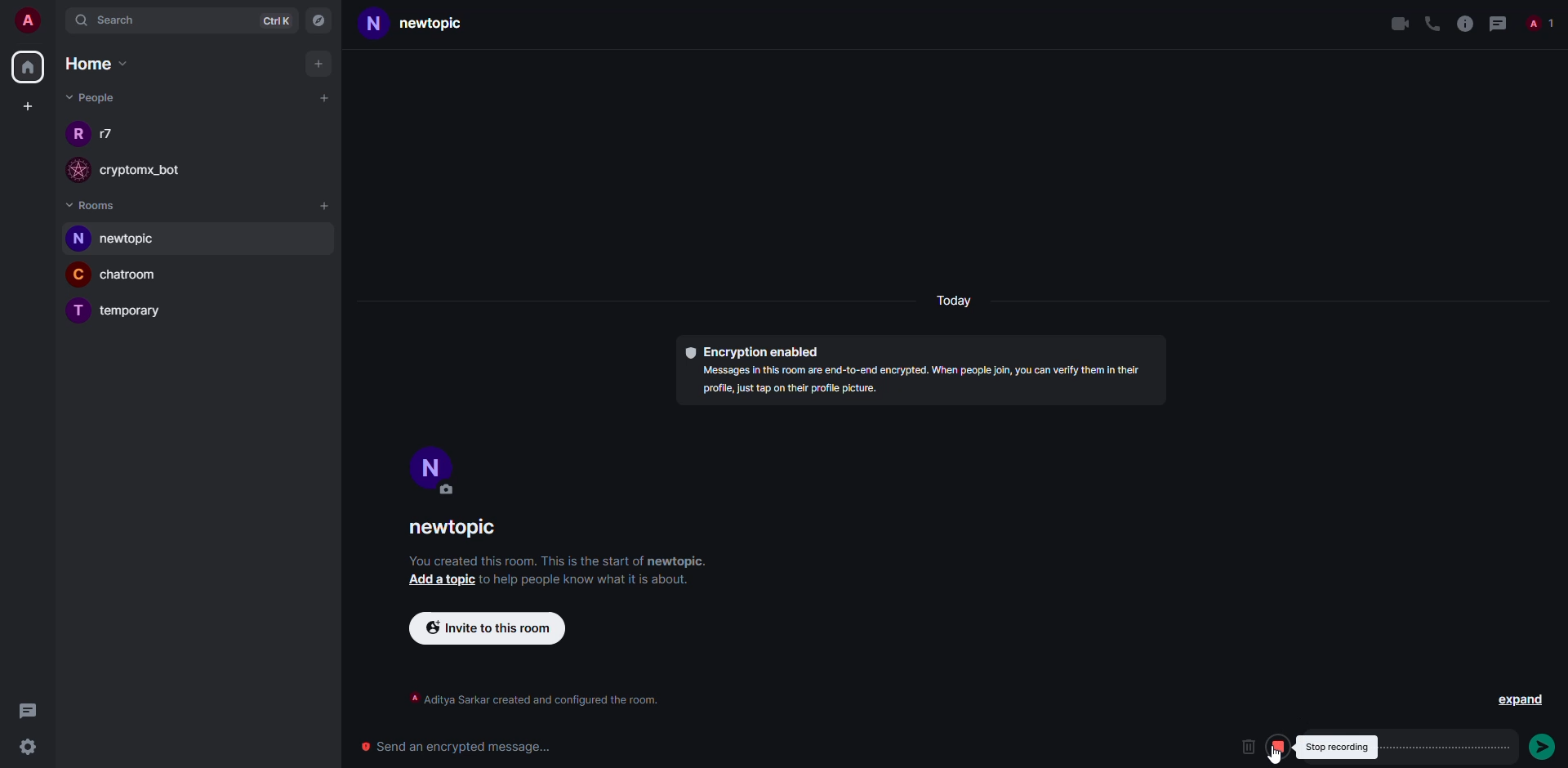 Image resolution: width=1568 pixels, height=768 pixels. What do you see at coordinates (1276, 754) in the screenshot?
I see `cursor` at bounding box center [1276, 754].